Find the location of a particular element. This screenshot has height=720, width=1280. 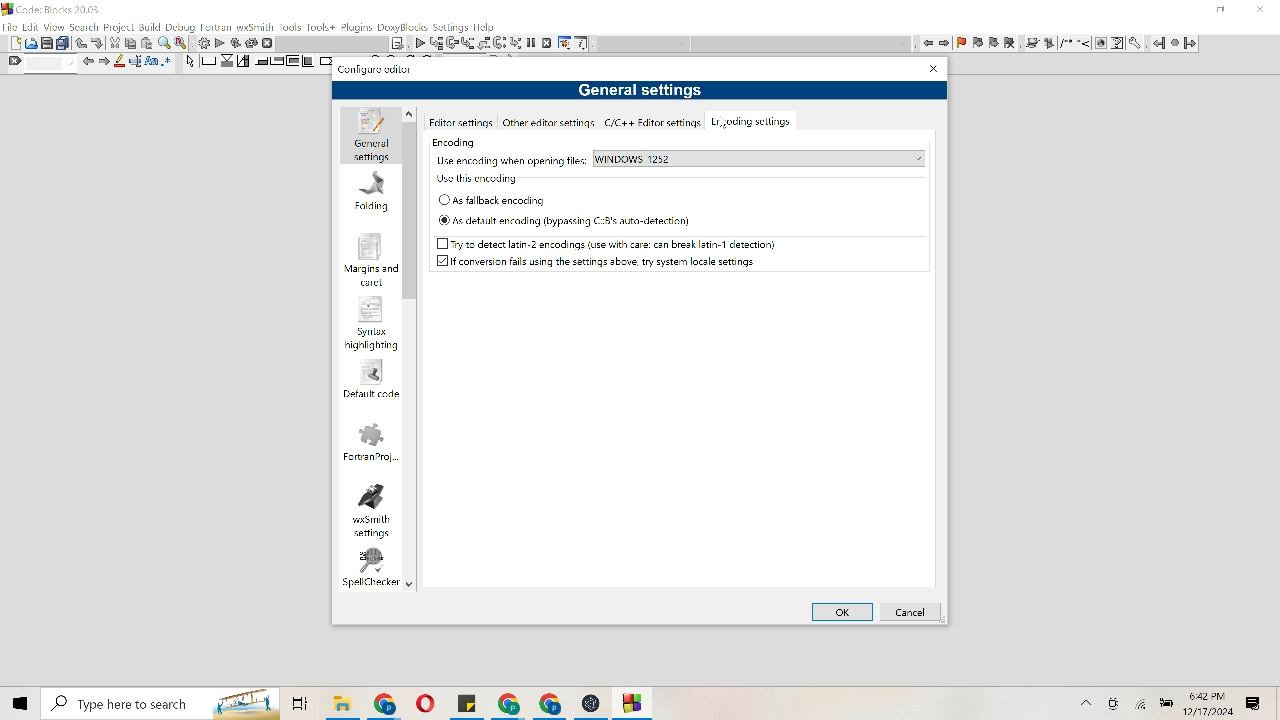

Settings is located at coordinates (202, 43).